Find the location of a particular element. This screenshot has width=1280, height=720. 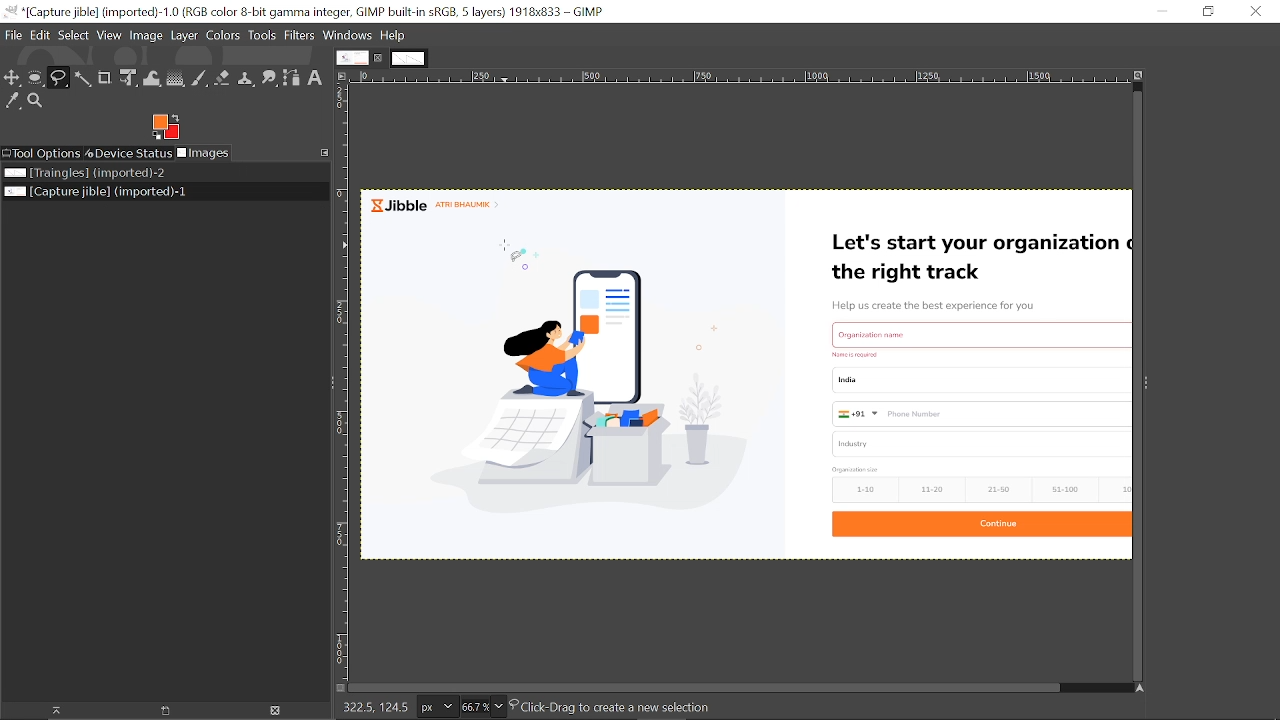

raise the image display is located at coordinates (51, 710).